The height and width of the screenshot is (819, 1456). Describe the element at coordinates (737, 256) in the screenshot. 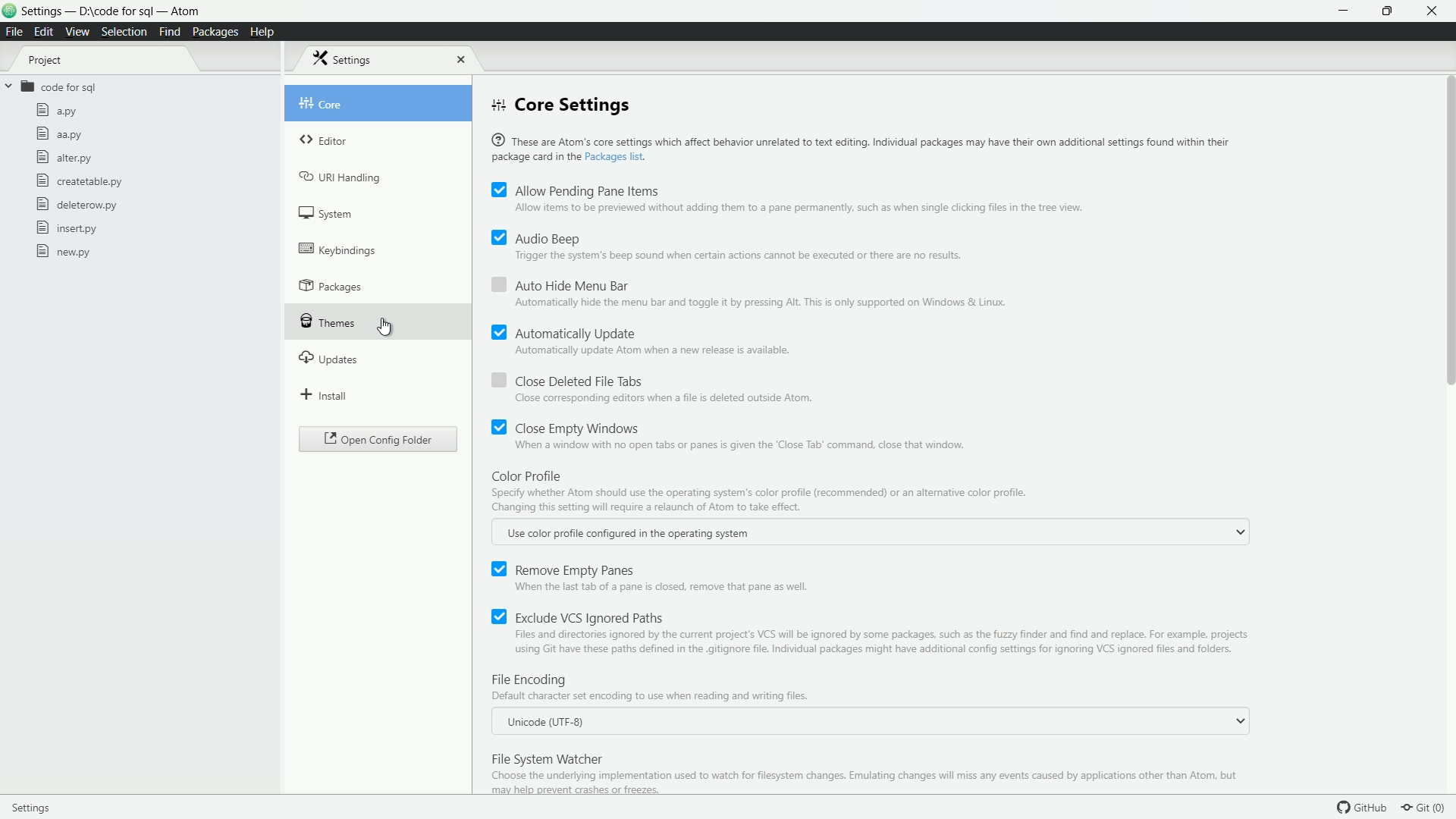

I see `triger the system's beep sound when certain actions cannot be executed or there are no results` at that location.